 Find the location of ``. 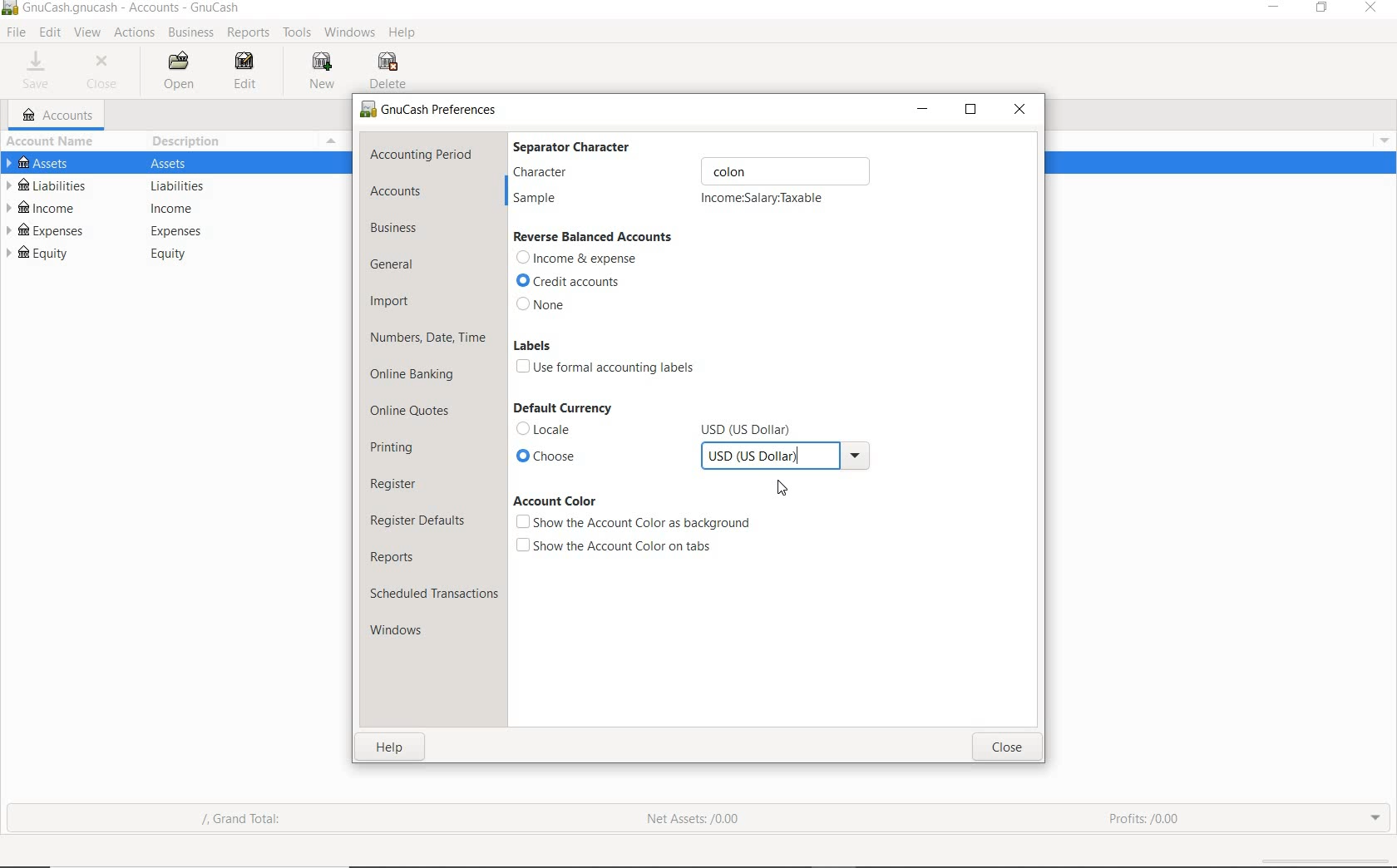

 is located at coordinates (180, 186).